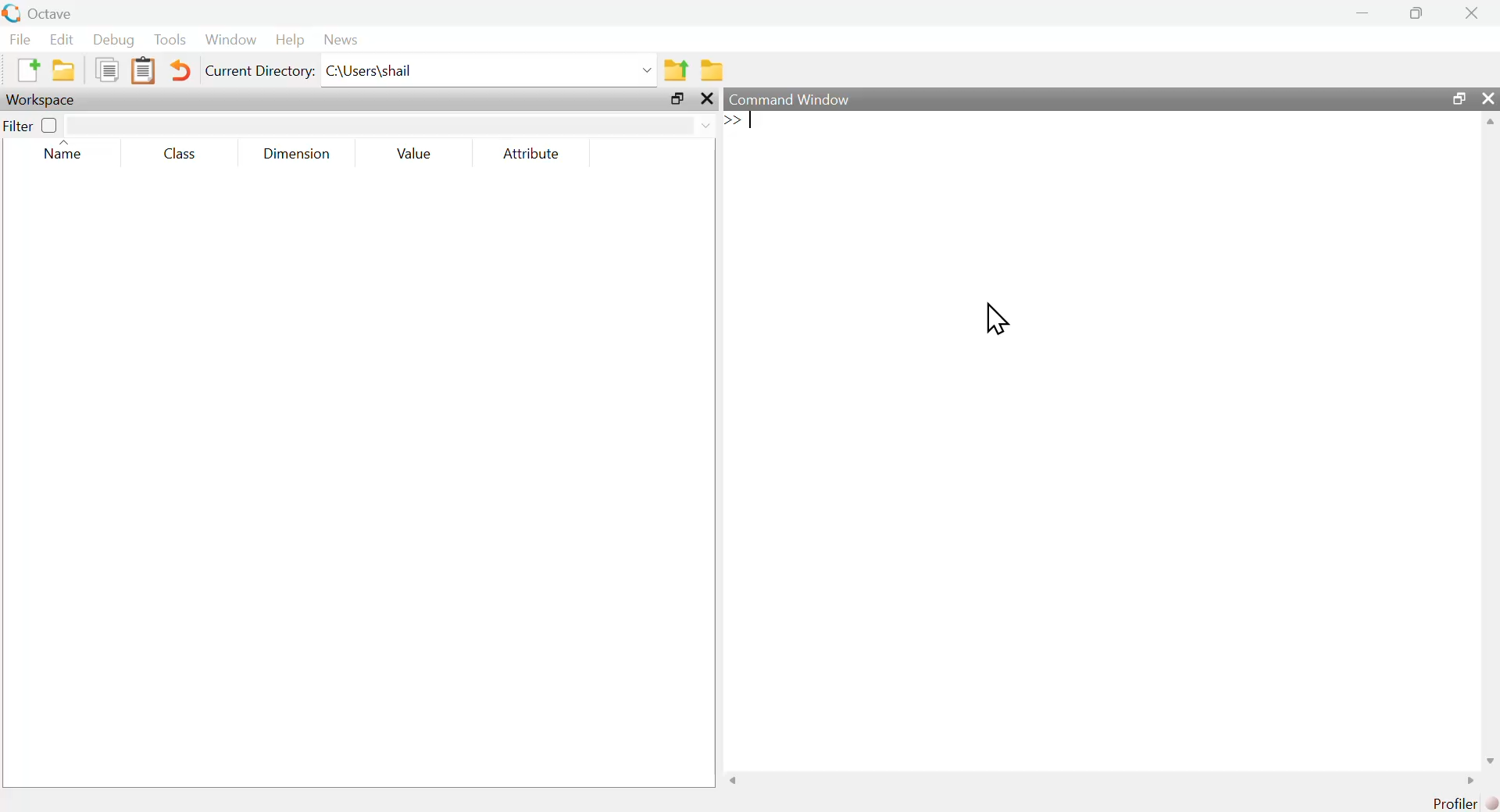 This screenshot has height=812, width=1500. Describe the element at coordinates (677, 70) in the screenshot. I see `Previous Folder` at that location.